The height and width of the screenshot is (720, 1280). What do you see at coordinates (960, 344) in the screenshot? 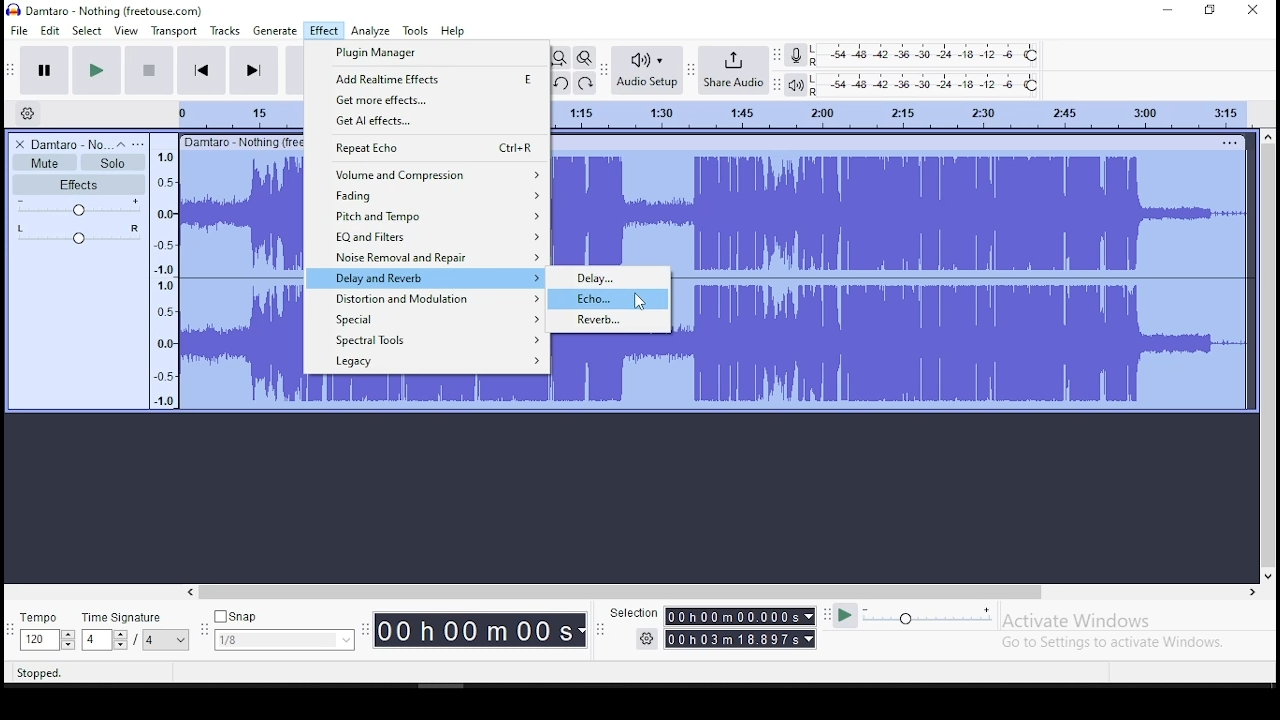
I see `audio track` at bounding box center [960, 344].